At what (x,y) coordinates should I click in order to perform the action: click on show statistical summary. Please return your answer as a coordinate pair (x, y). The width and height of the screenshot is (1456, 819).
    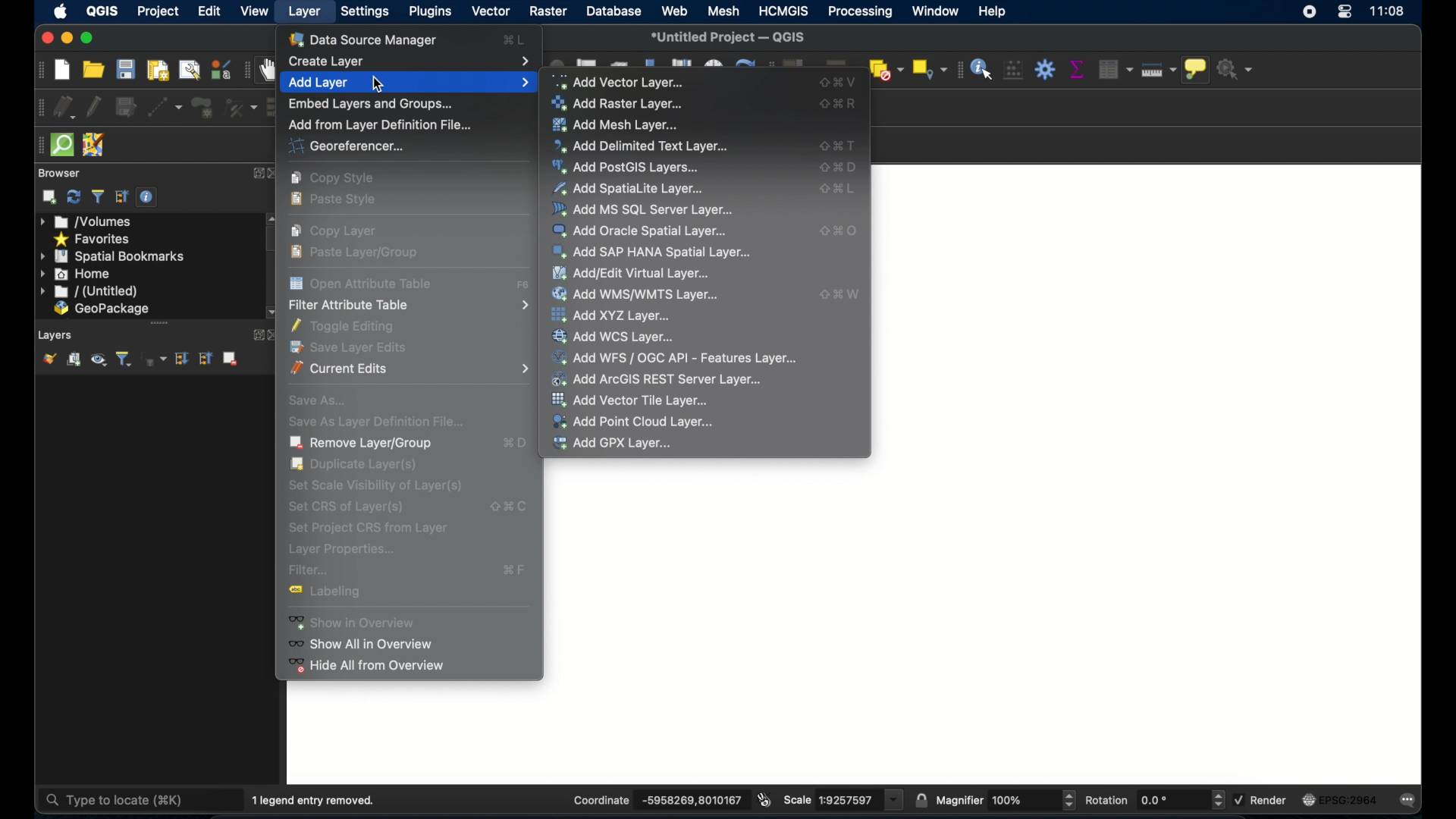
    Looking at the image, I should click on (1076, 69).